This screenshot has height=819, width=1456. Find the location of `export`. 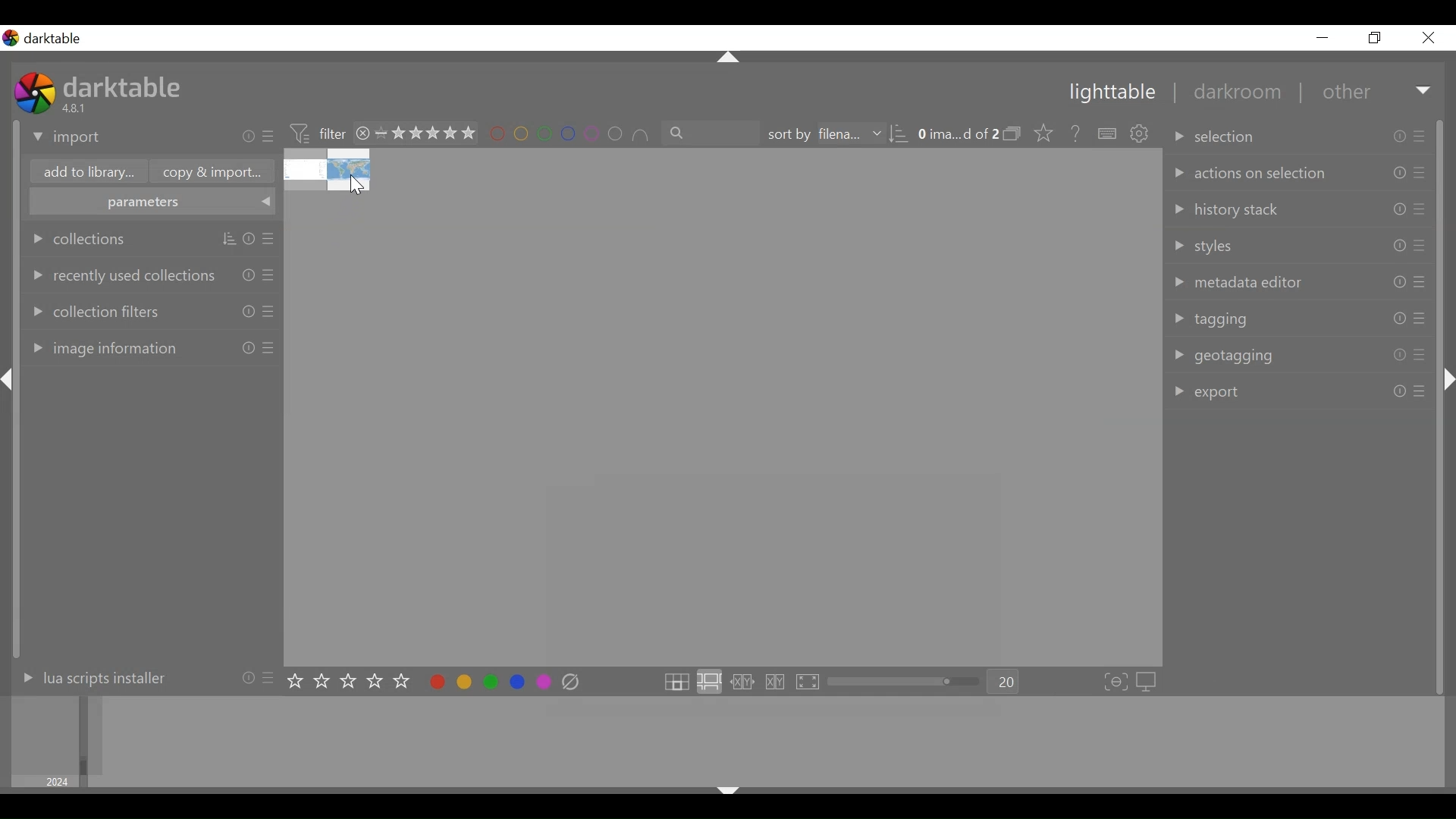

export is located at coordinates (1261, 392).